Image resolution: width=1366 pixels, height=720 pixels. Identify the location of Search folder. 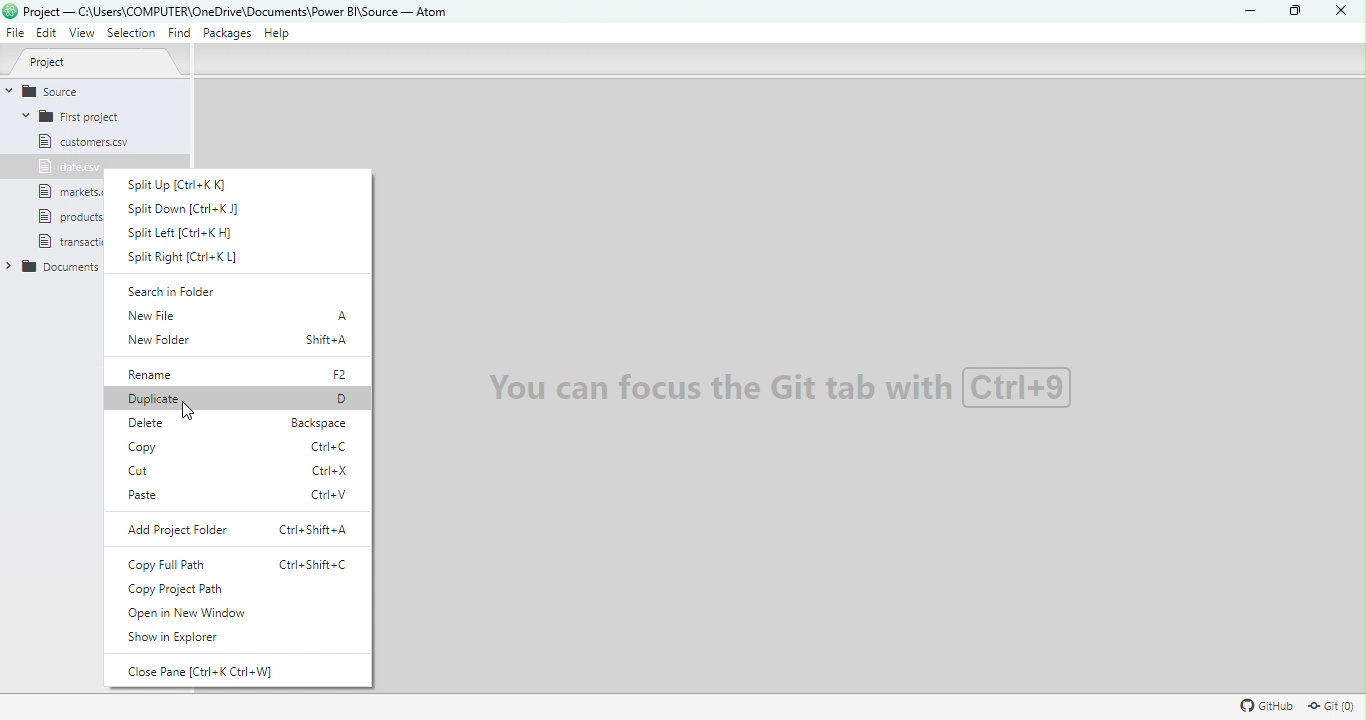
(185, 292).